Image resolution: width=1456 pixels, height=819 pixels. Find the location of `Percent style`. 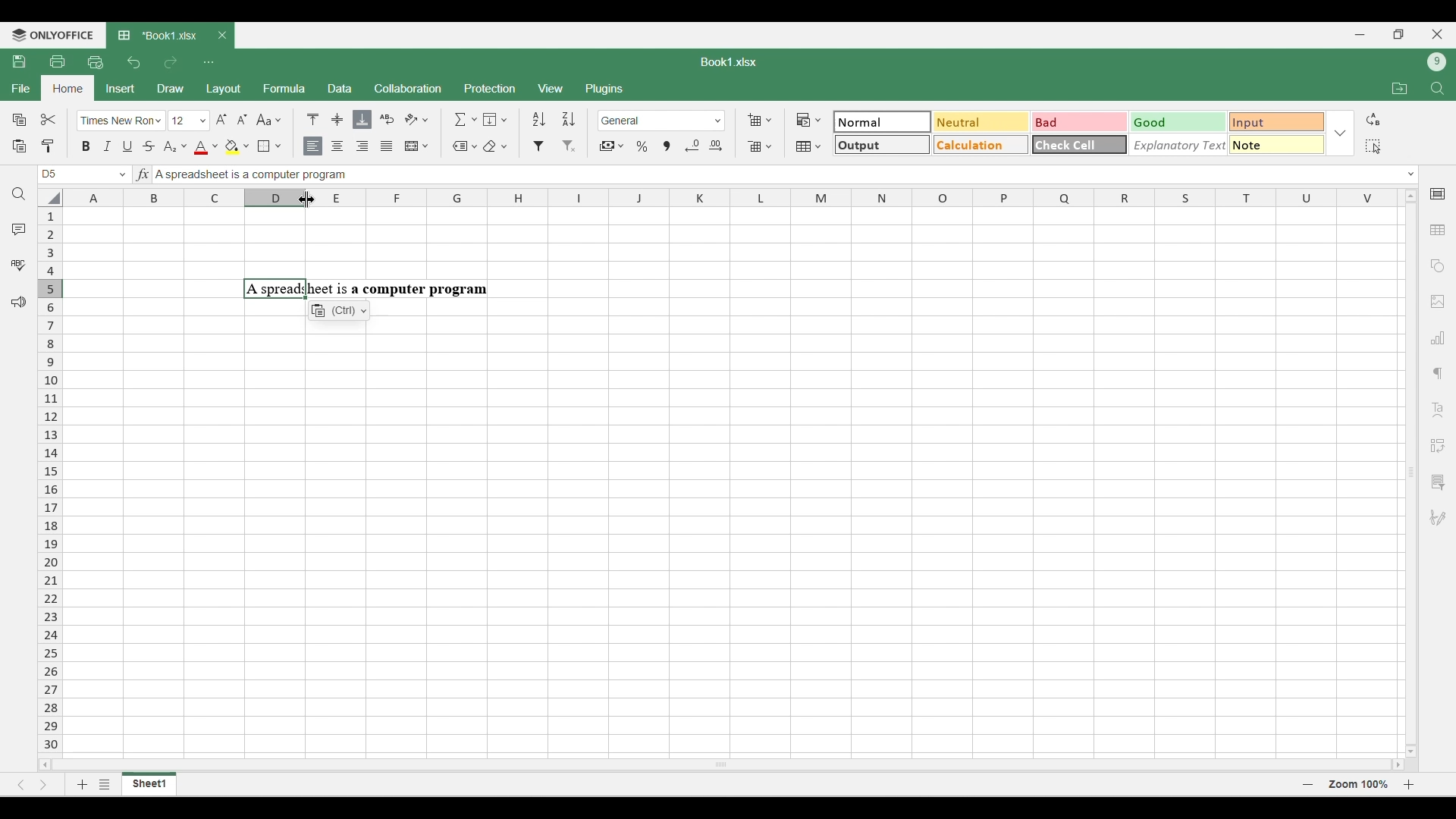

Percent style is located at coordinates (642, 146).